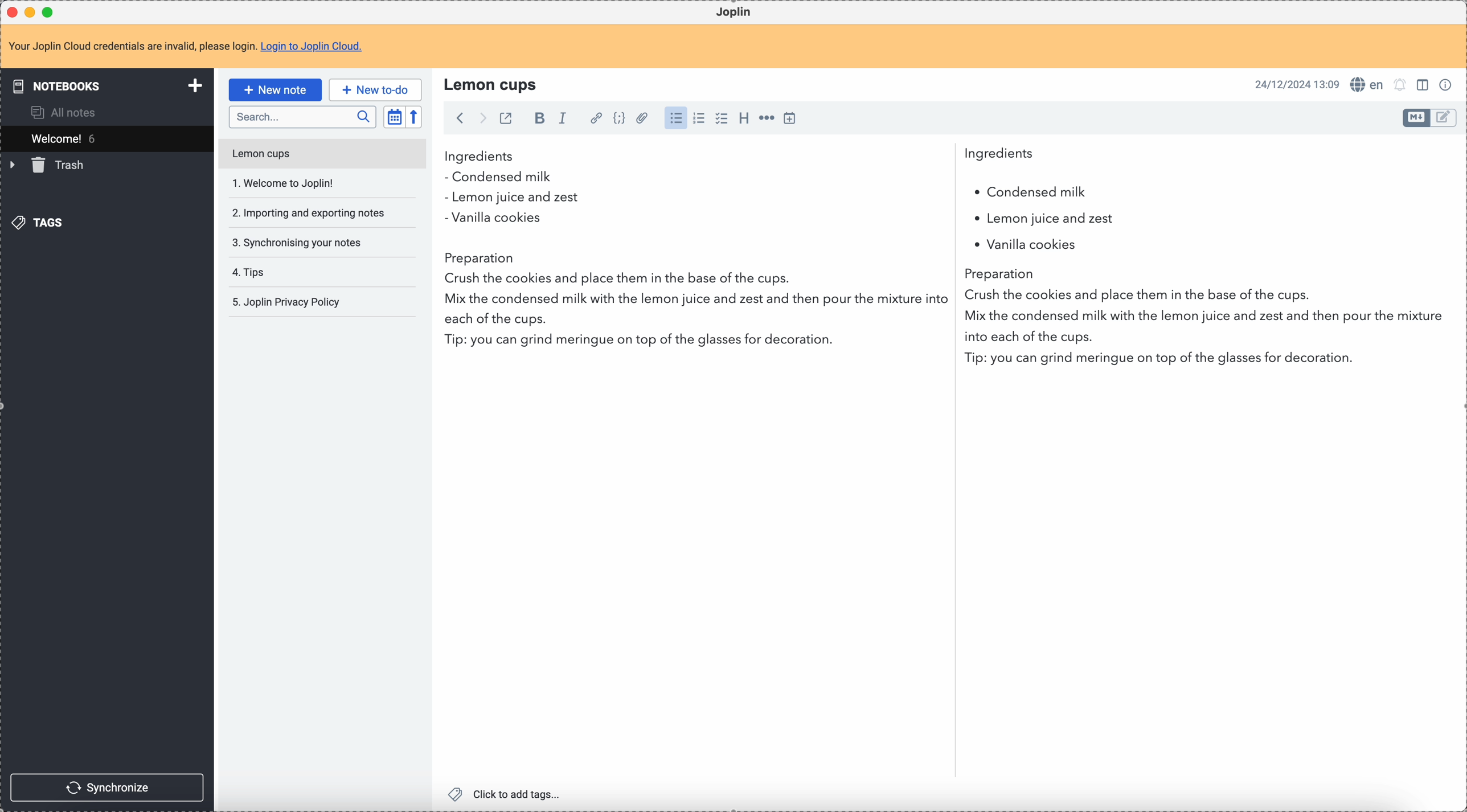 This screenshot has width=1467, height=812. Describe the element at coordinates (493, 219) in the screenshot. I see `vanilla cookies` at that location.